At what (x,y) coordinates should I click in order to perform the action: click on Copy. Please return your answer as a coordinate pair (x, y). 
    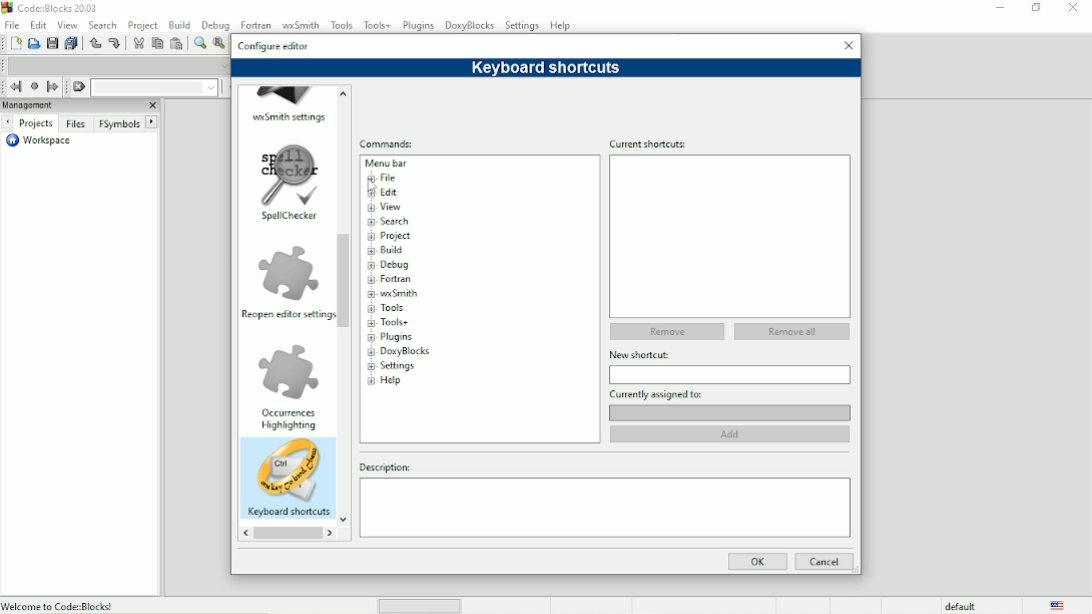
    Looking at the image, I should click on (156, 43).